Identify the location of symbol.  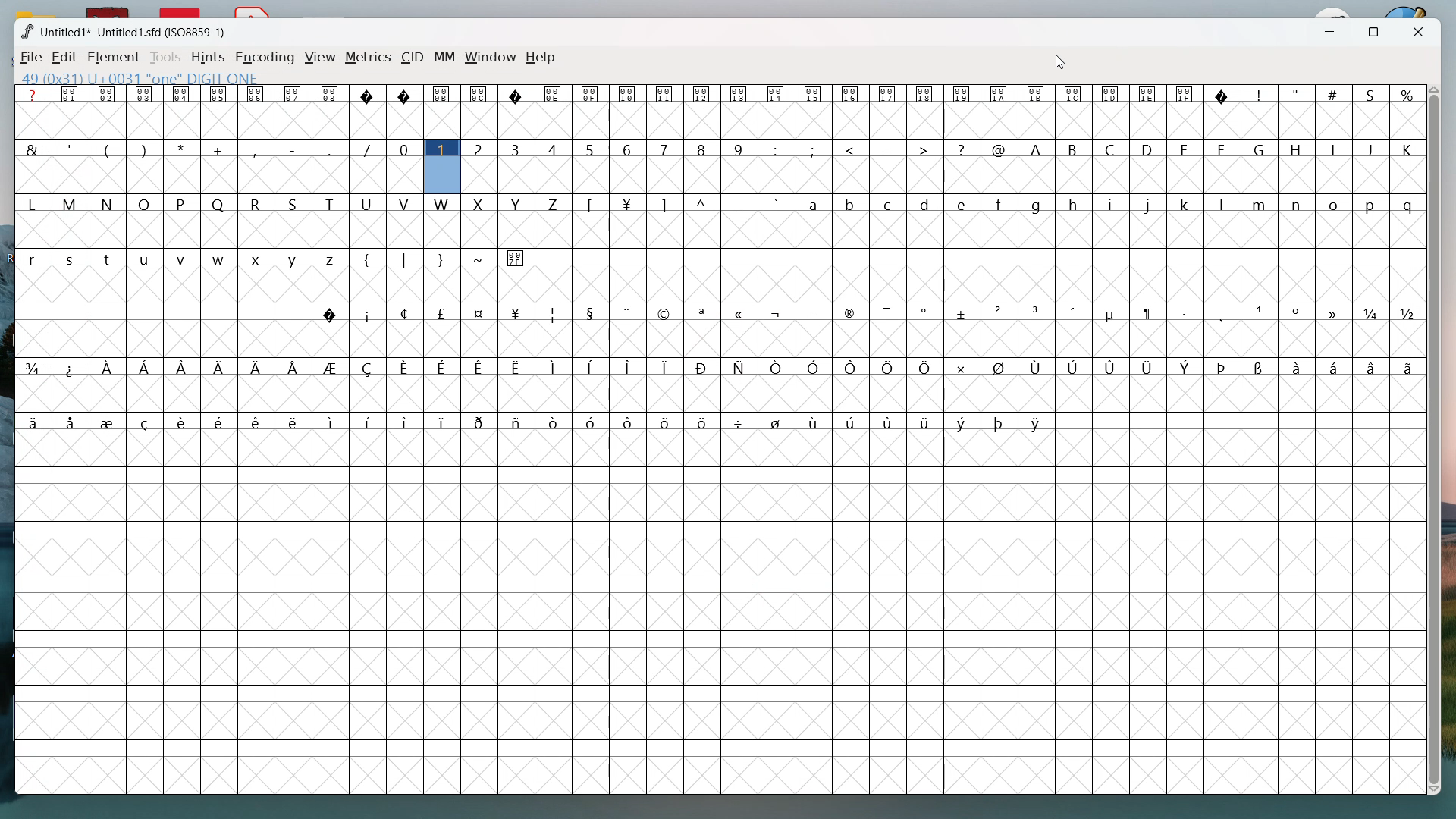
(220, 368).